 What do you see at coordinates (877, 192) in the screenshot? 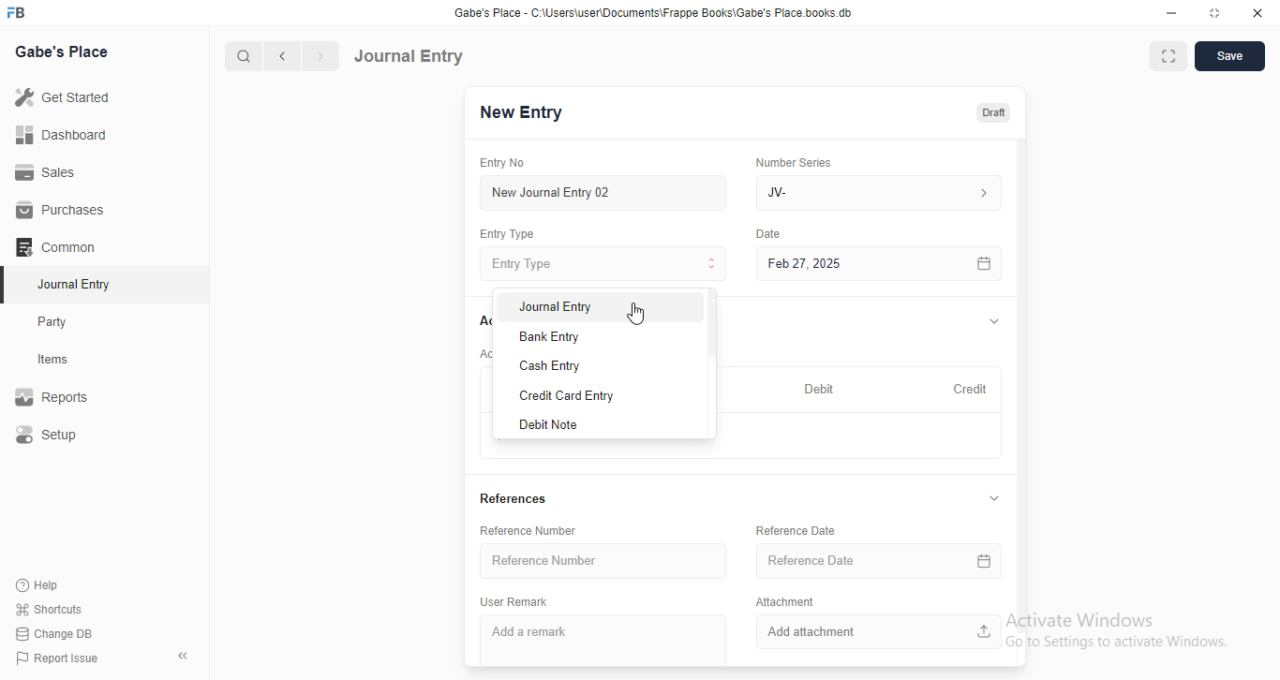
I see `IV-` at bounding box center [877, 192].